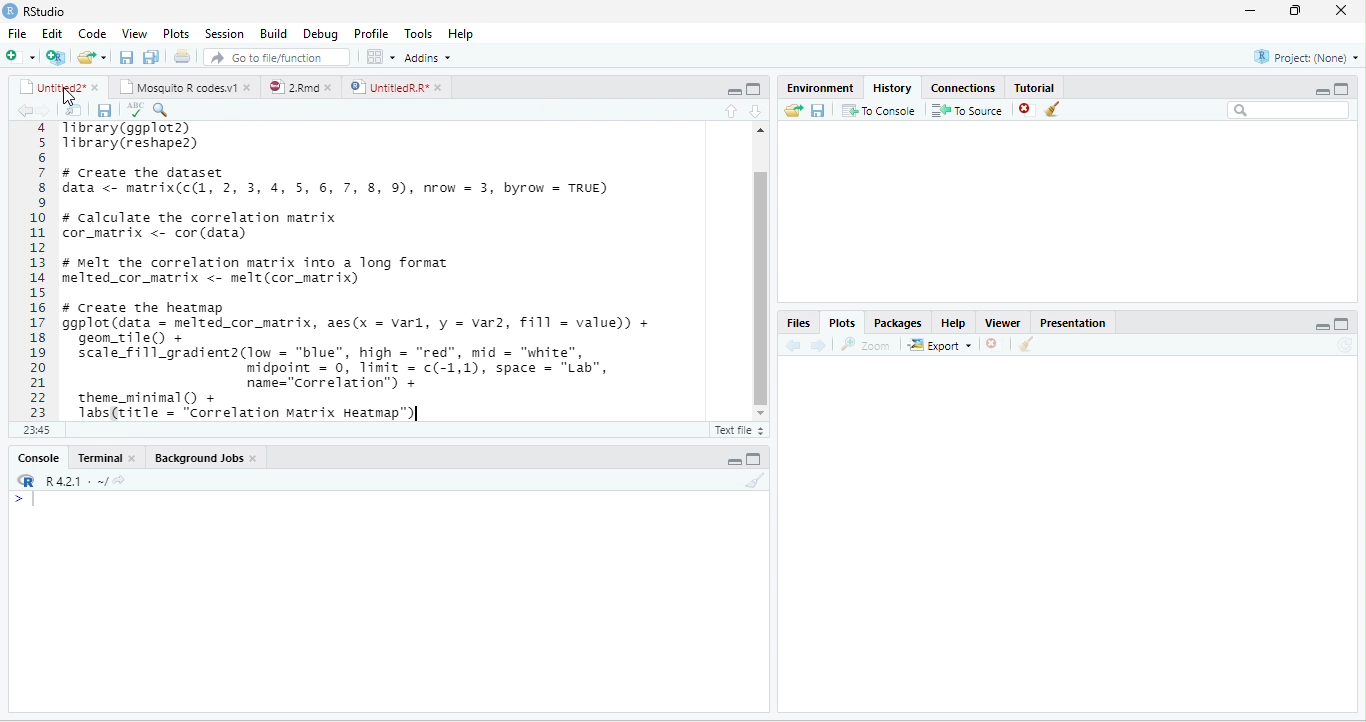 This screenshot has width=1366, height=722. Describe the element at coordinates (22, 111) in the screenshot. I see `arrow` at that location.